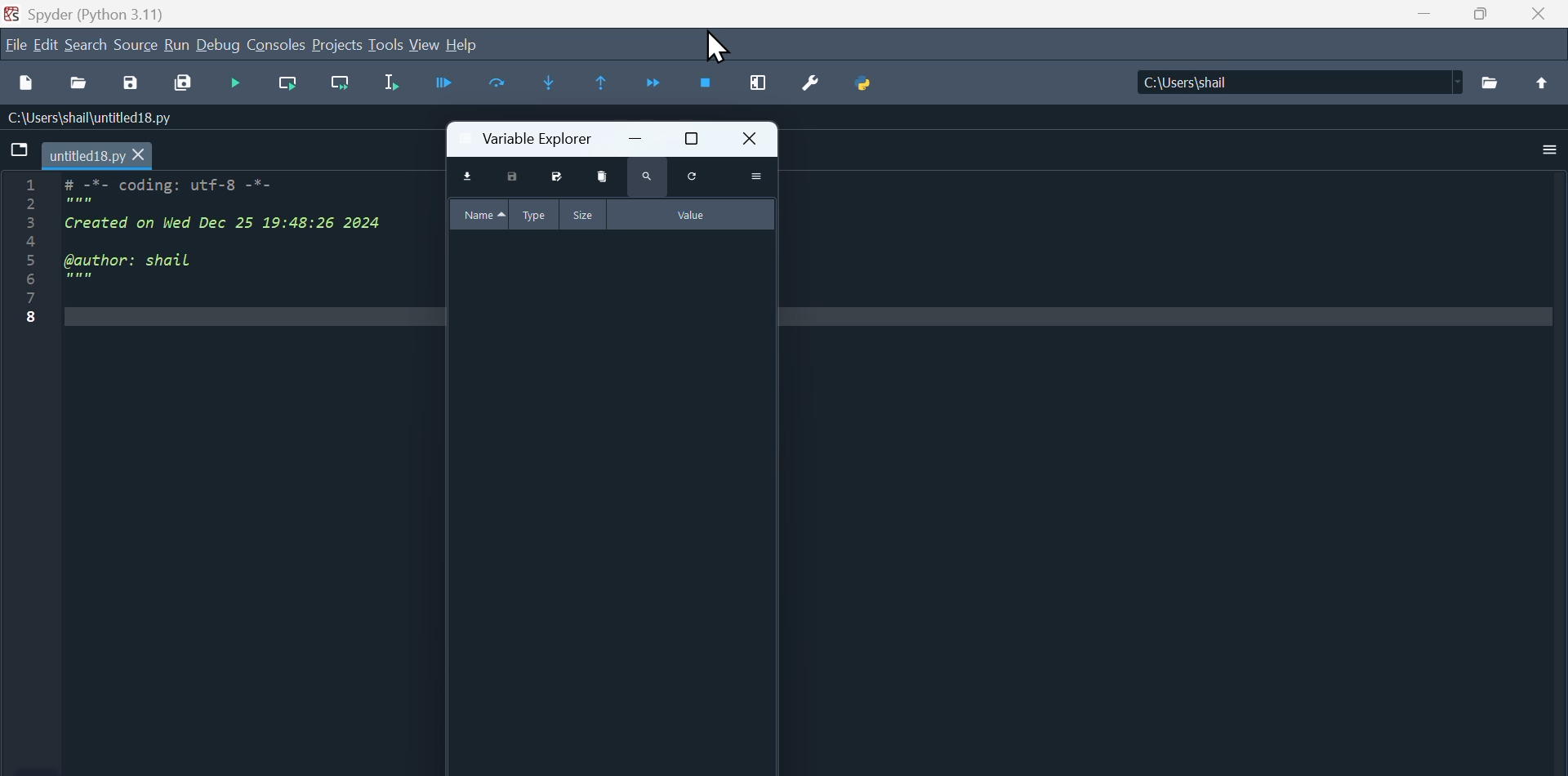  What do you see at coordinates (82, 85) in the screenshot?
I see `Open` at bounding box center [82, 85].